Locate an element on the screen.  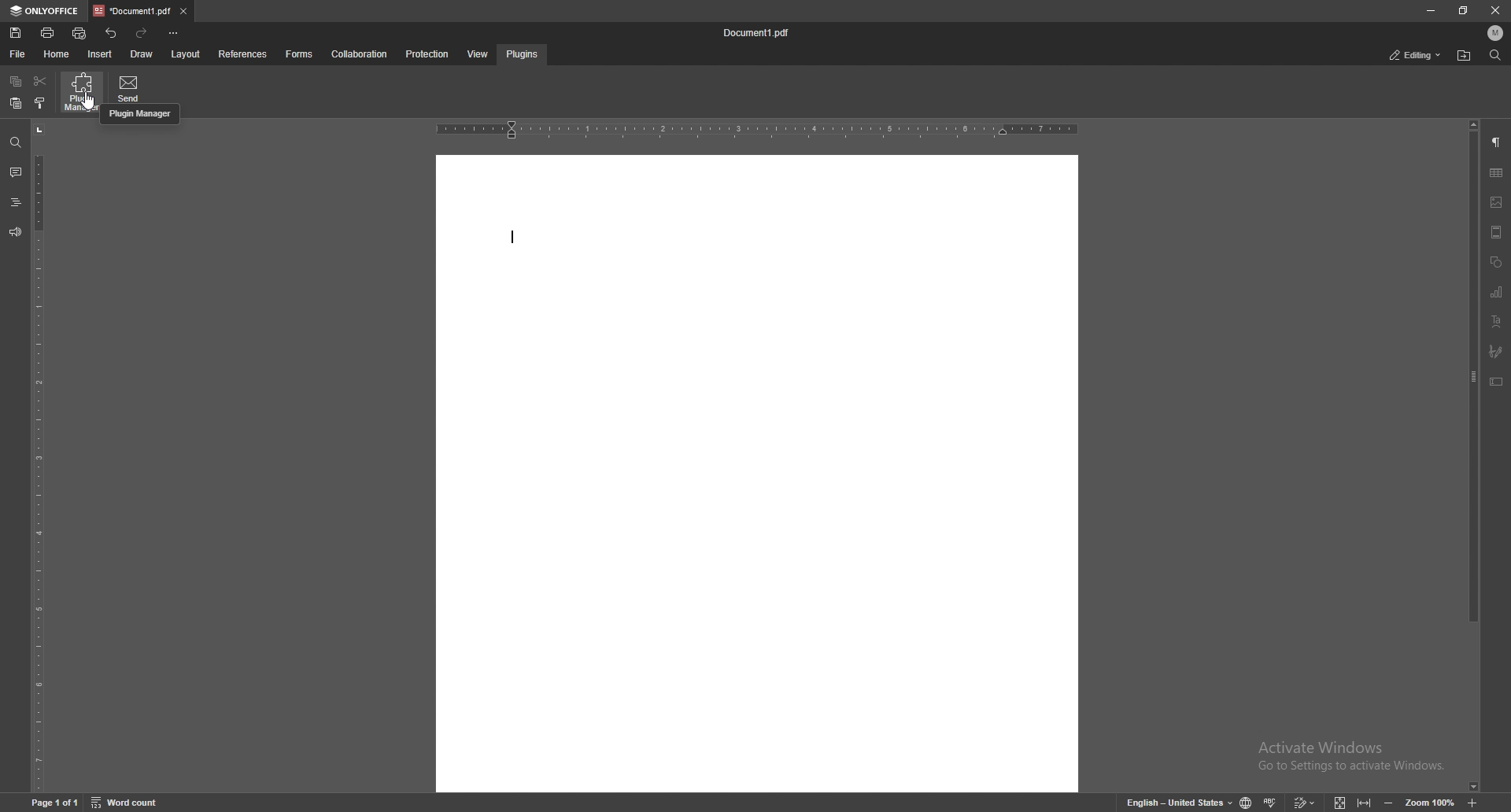
layout is located at coordinates (185, 54).